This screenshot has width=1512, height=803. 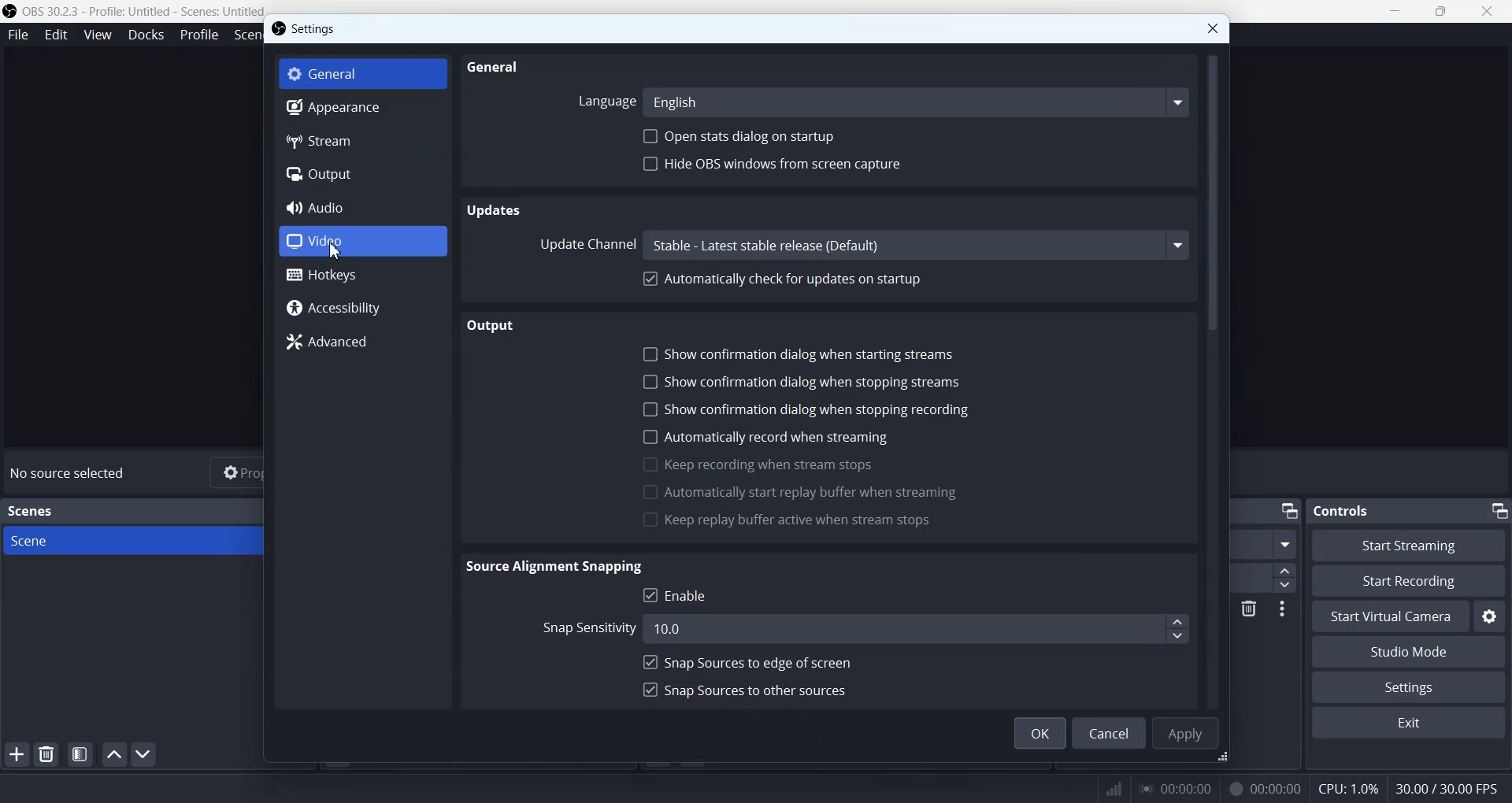 What do you see at coordinates (1407, 652) in the screenshot?
I see `Studio Mode` at bounding box center [1407, 652].